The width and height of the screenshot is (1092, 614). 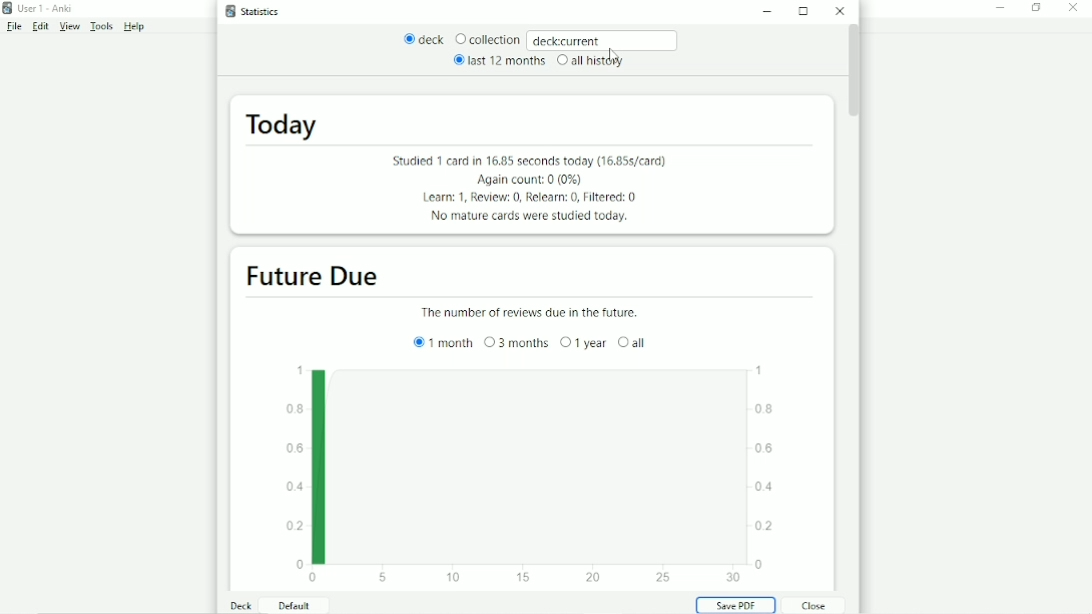 I want to click on deck, so click(x=419, y=38).